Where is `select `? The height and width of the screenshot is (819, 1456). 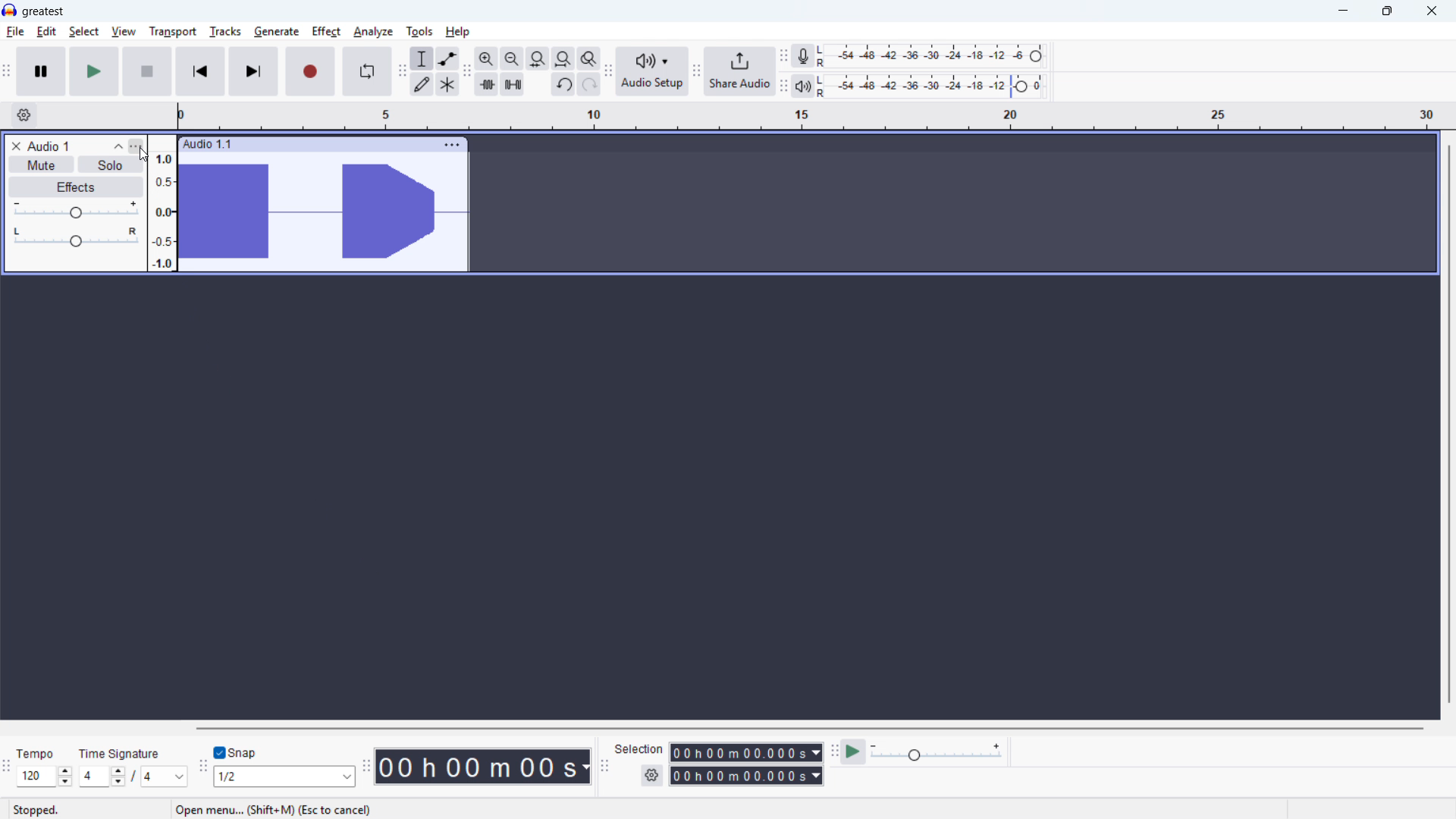
select  is located at coordinates (84, 32).